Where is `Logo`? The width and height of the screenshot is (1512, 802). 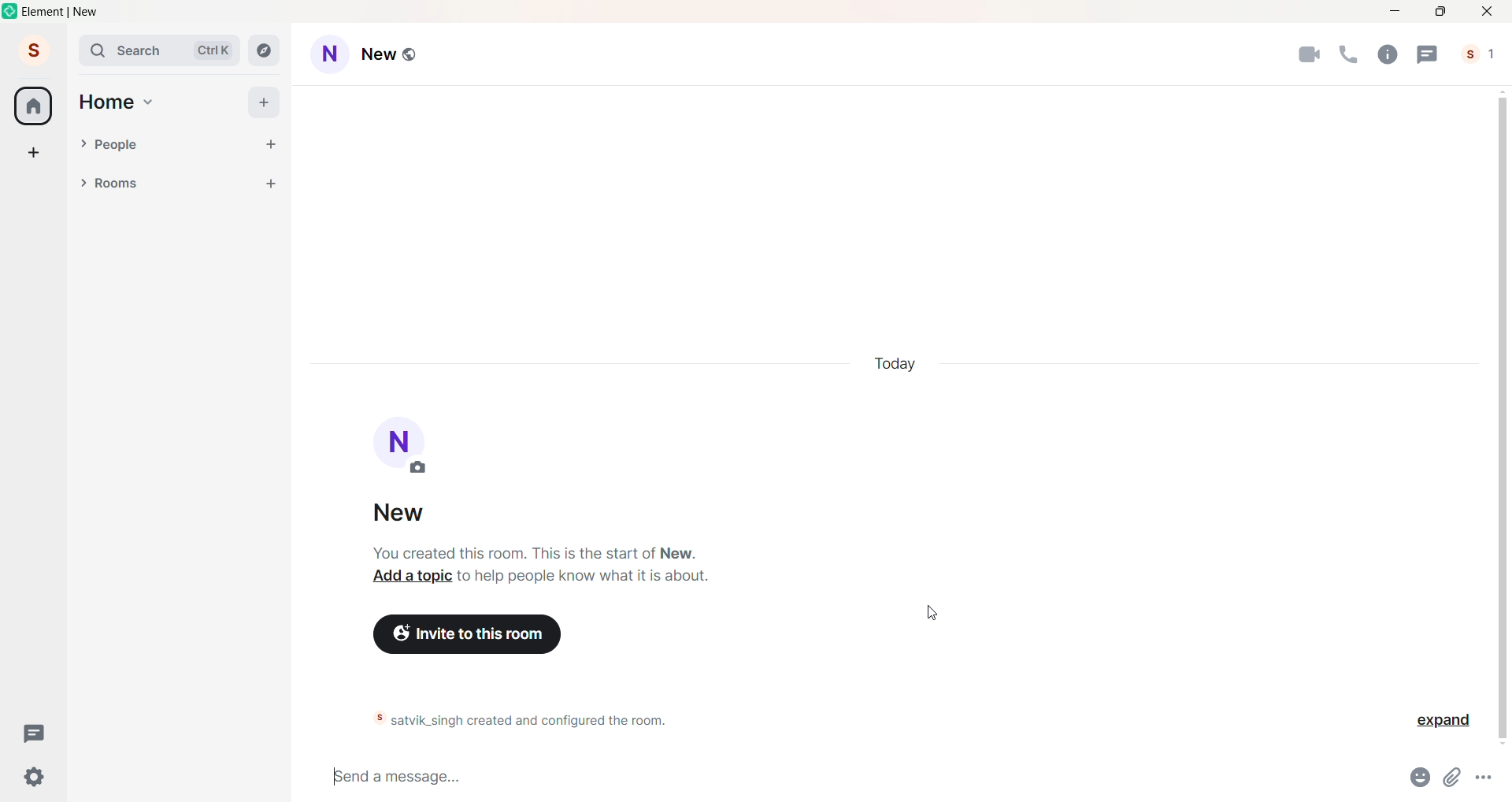
Logo is located at coordinates (11, 11).